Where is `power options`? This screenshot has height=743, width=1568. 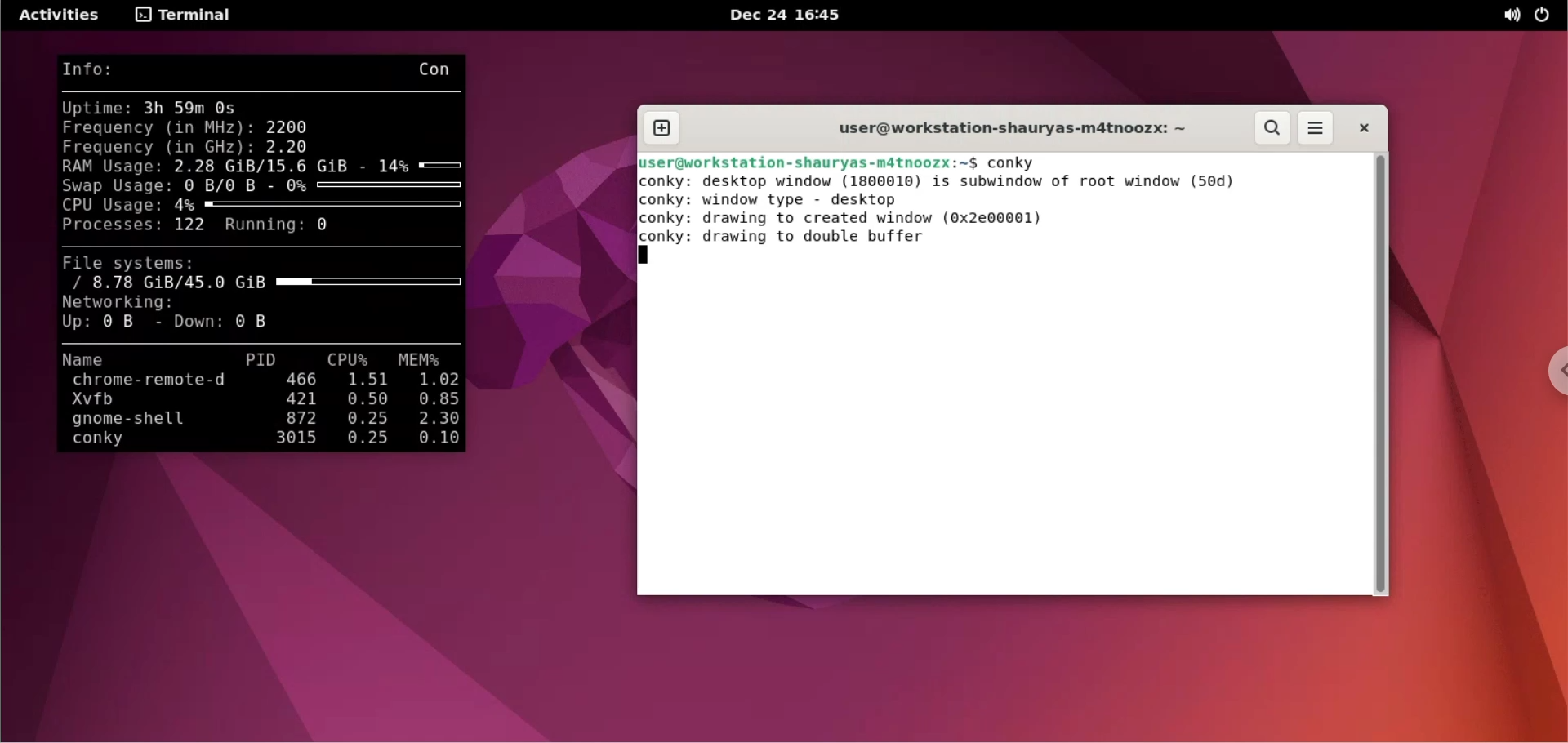
power options is located at coordinates (1548, 16).